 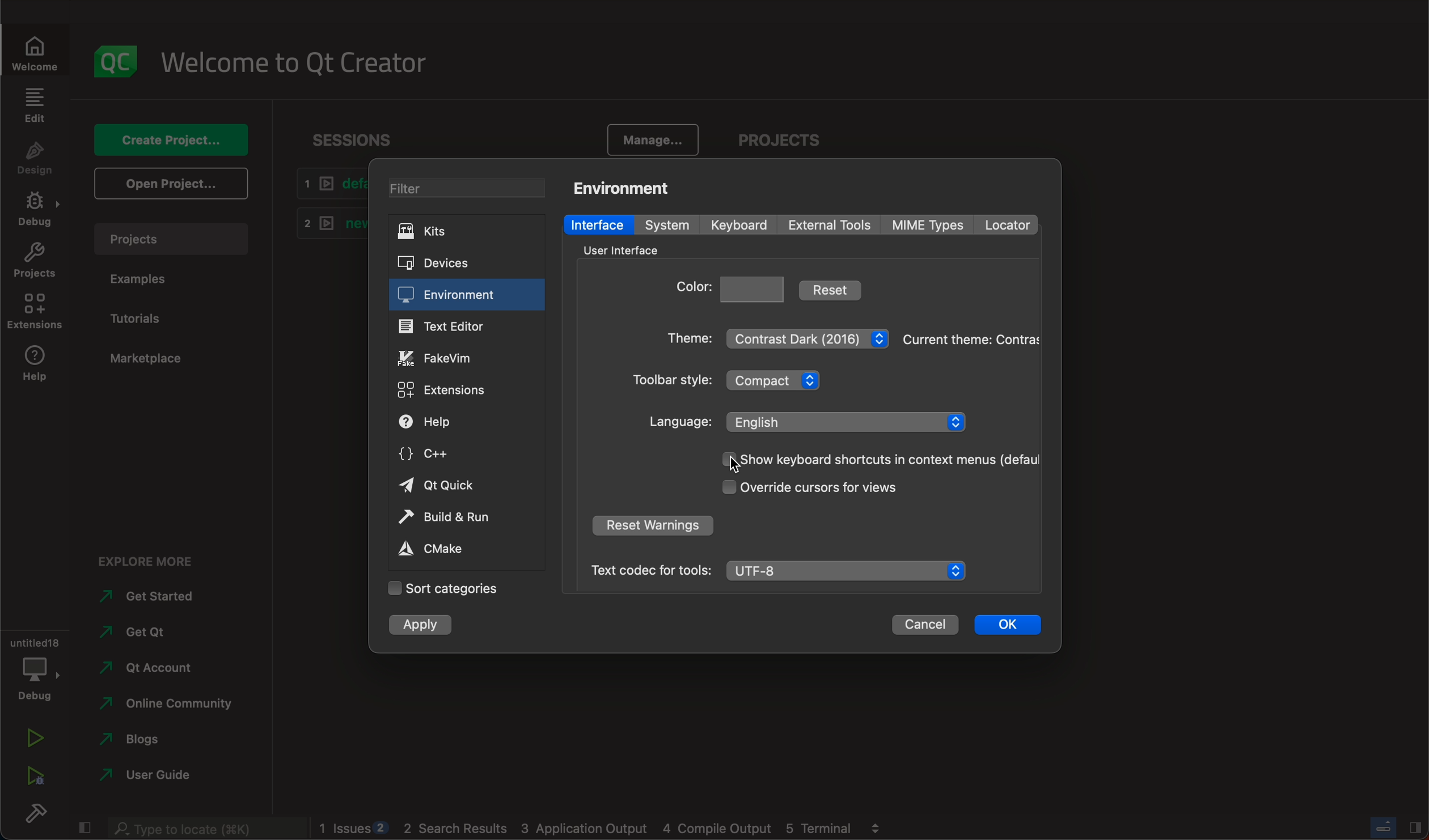 I want to click on account, so click(x=160, y=666).